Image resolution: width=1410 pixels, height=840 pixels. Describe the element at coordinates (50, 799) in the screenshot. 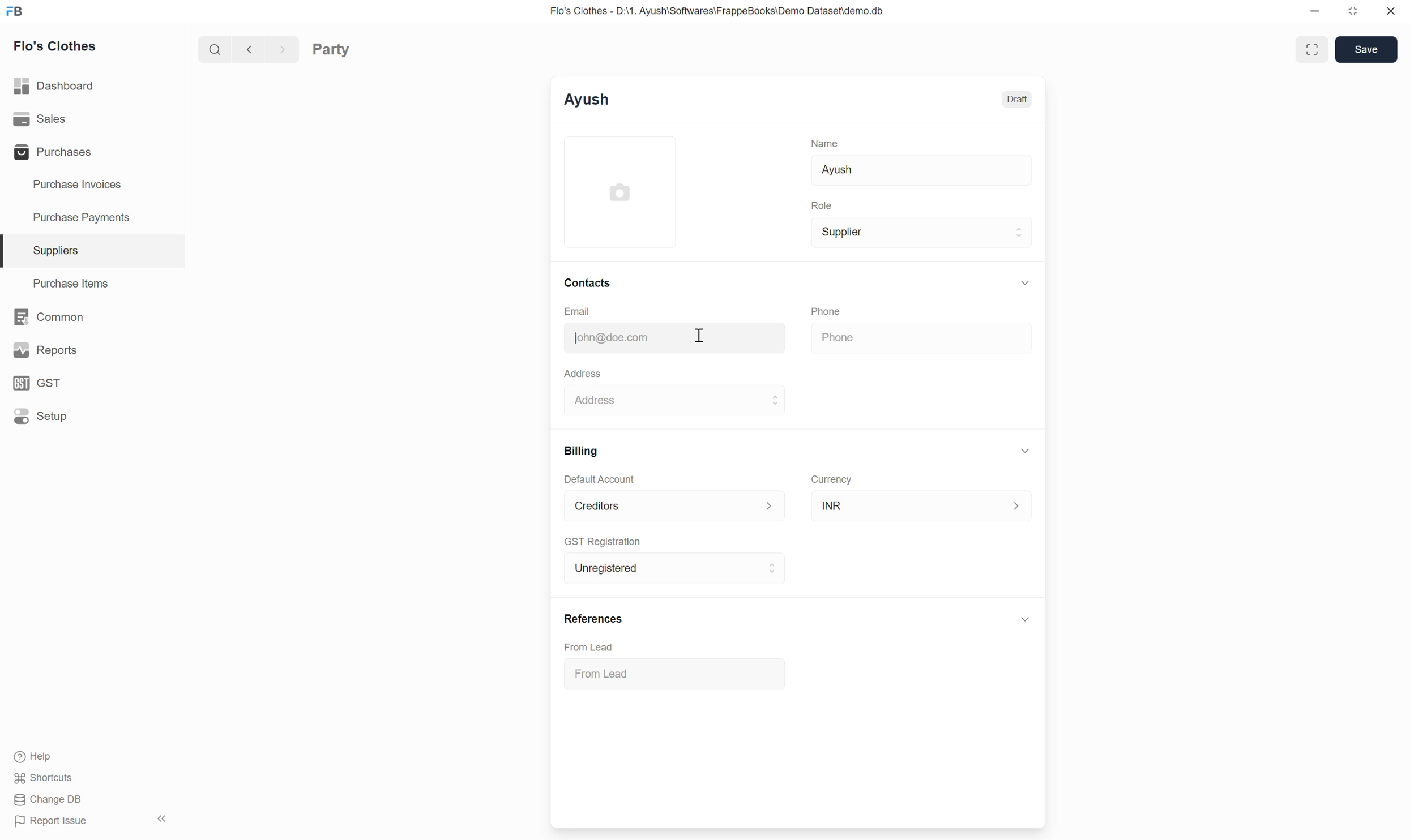

I see `Change DB` at that location.